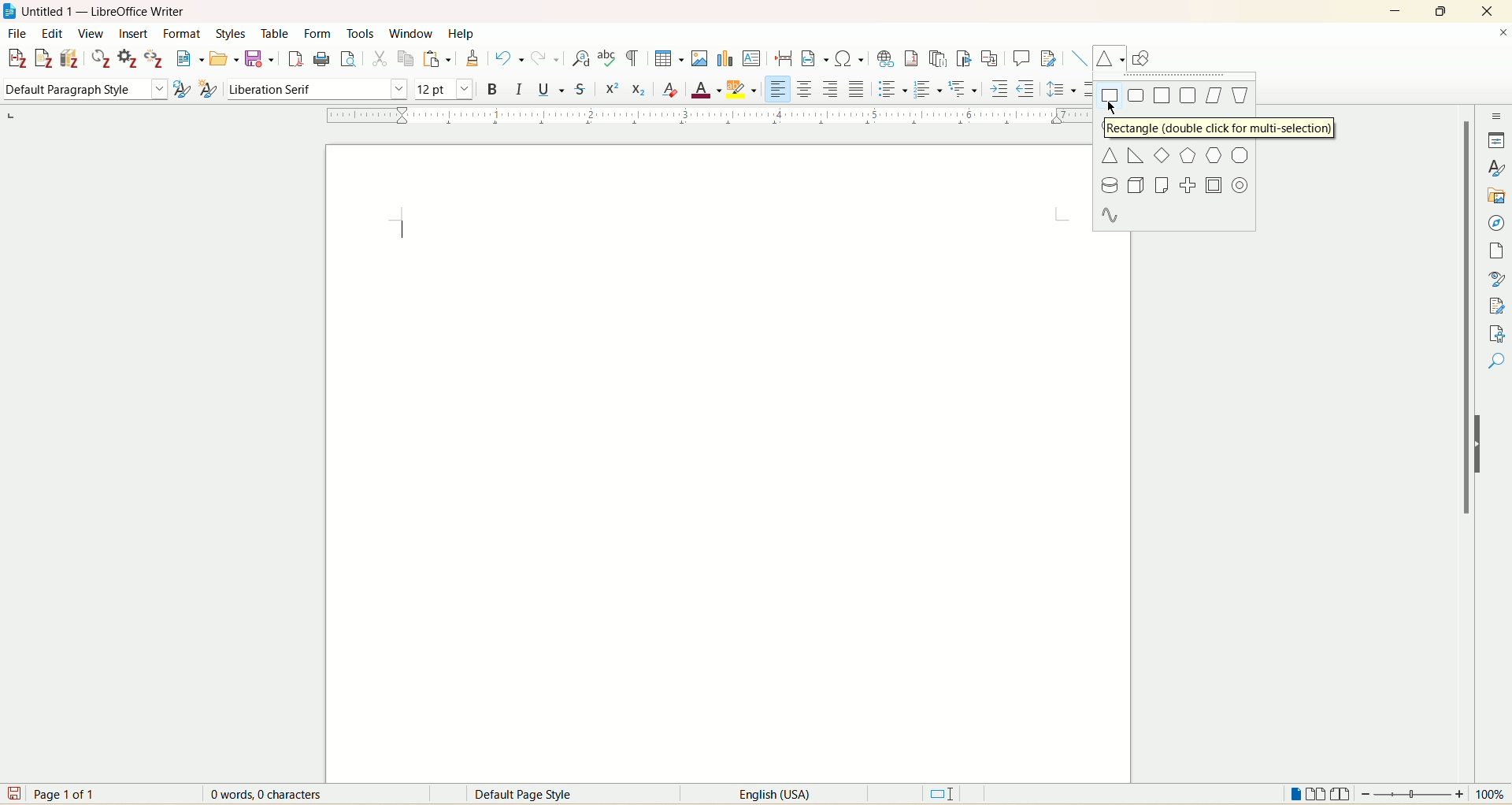 The image size is (1512, 805). What do you see at coordinates (71, 58) in the screenshot?
I see `add bibliography` at bounding box center [71, 58].